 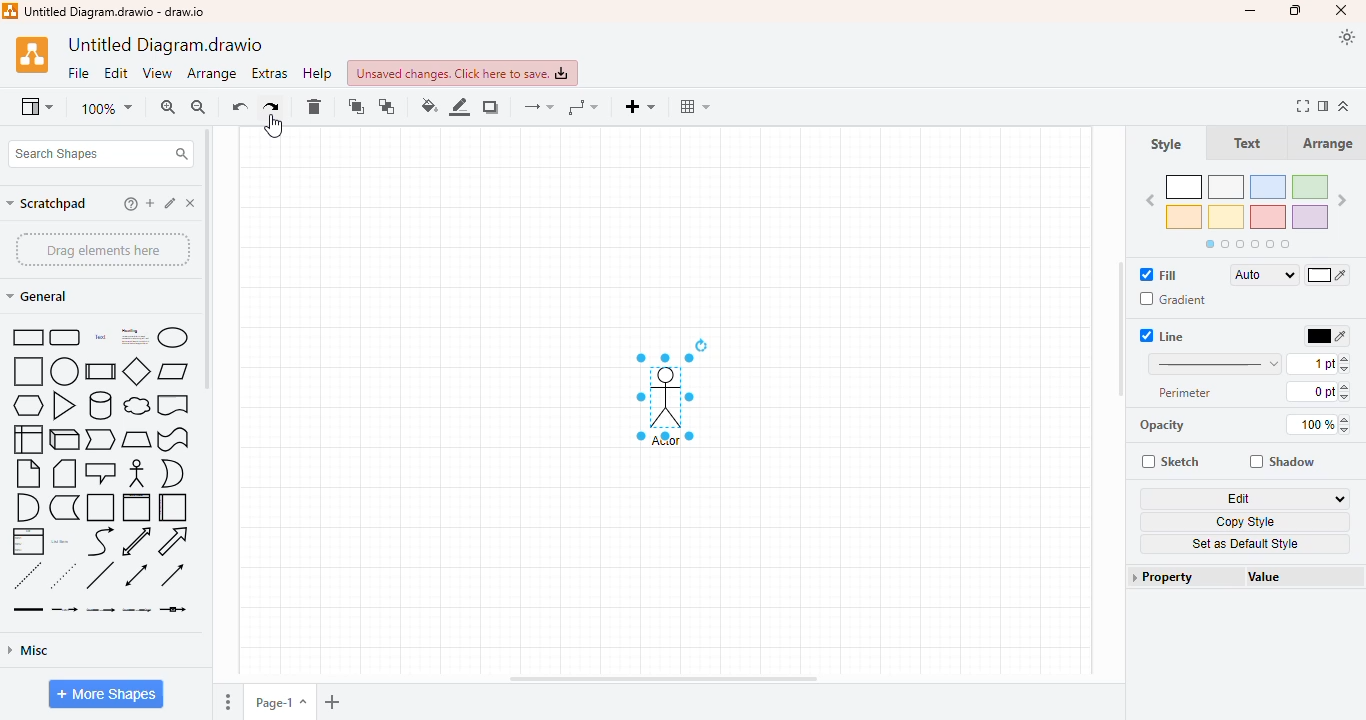 I want to click on step, so click(x=101, y=439).